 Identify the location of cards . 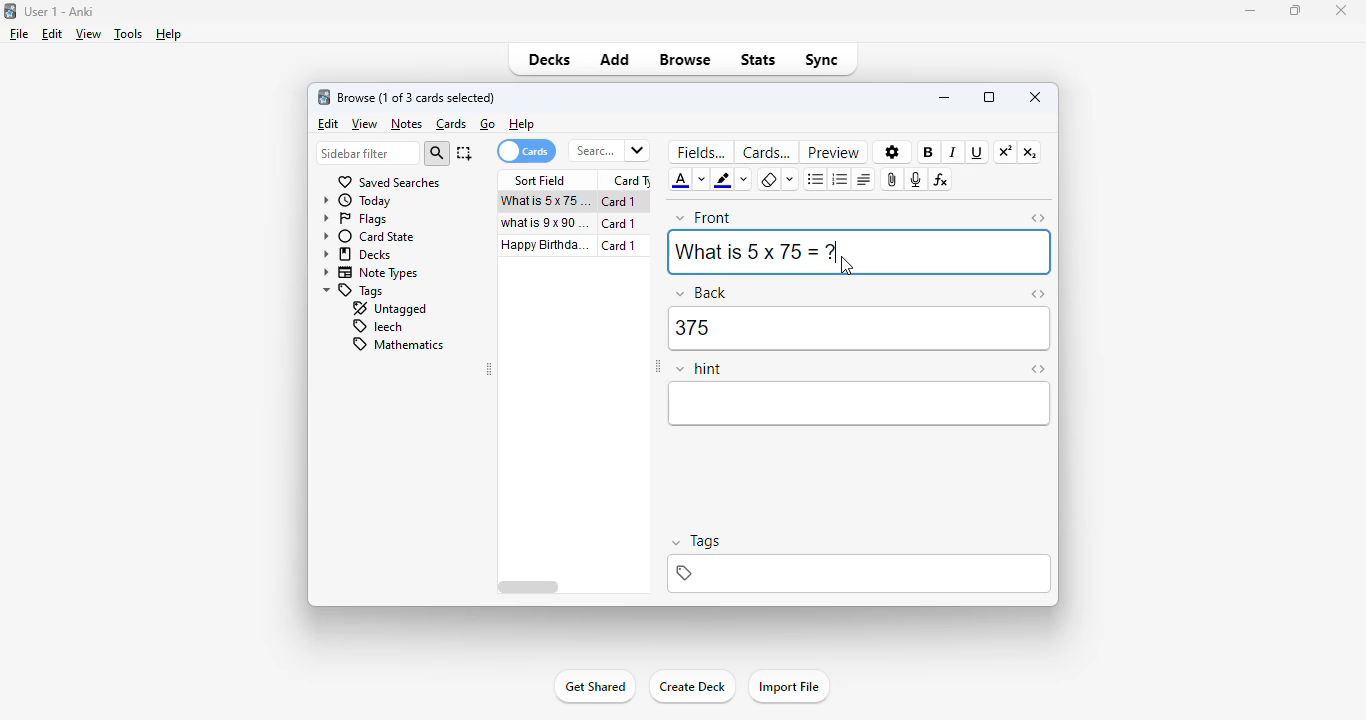
(766, 153).